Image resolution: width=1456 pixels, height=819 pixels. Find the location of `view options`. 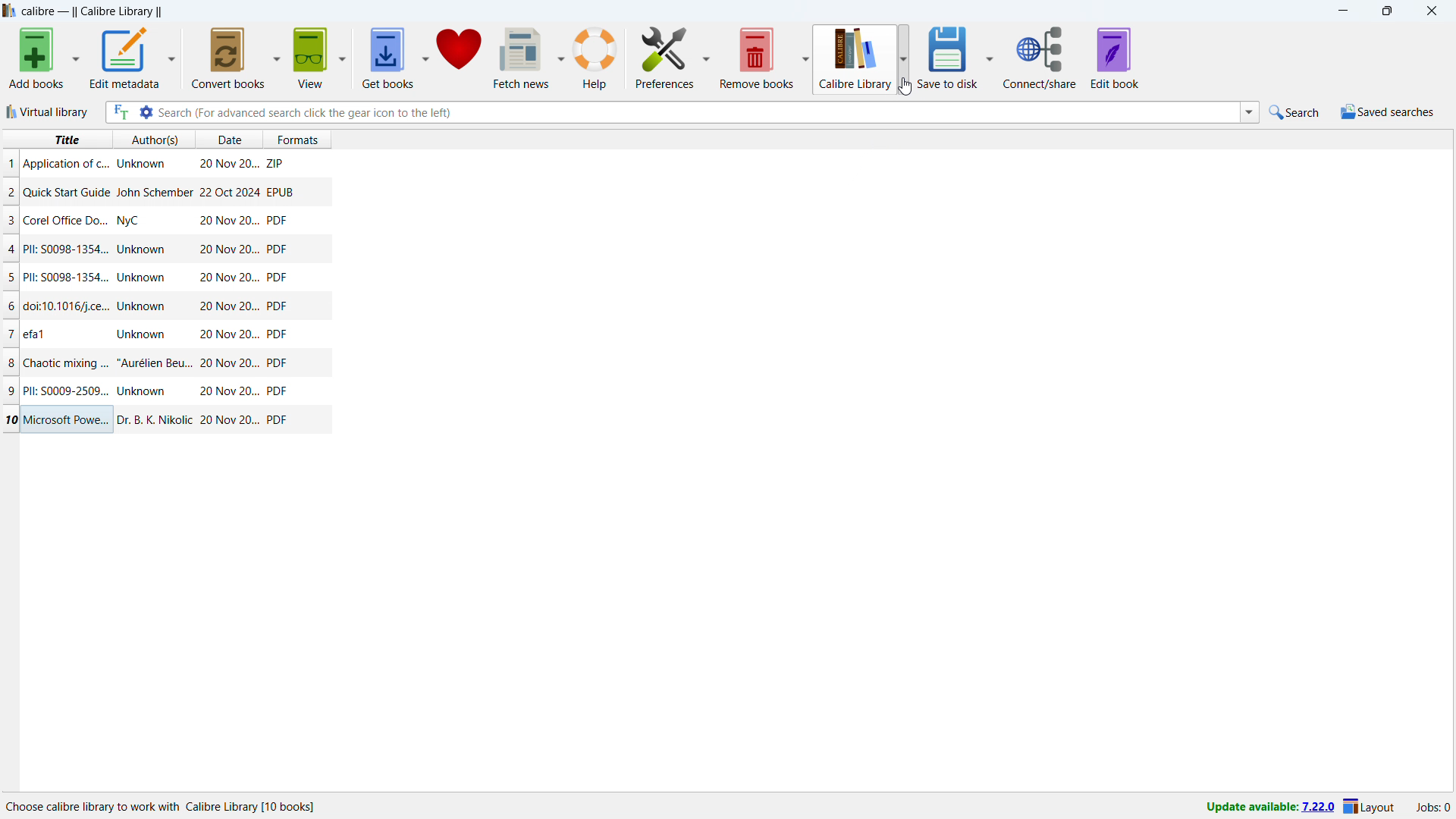

view options is located at coordinates (344, 58).